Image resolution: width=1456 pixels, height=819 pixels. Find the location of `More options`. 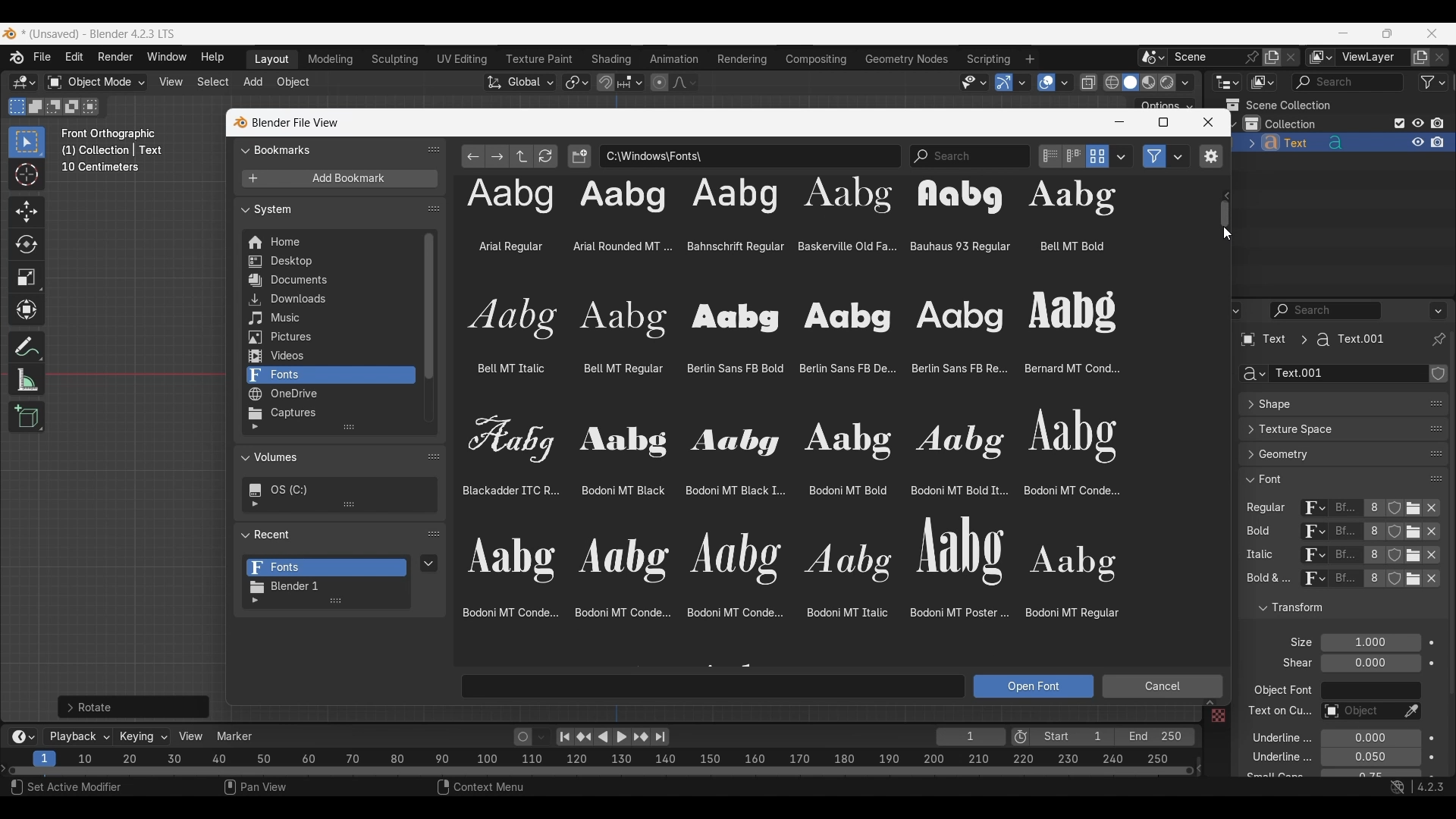

More options is located at coordinates (21, 737).